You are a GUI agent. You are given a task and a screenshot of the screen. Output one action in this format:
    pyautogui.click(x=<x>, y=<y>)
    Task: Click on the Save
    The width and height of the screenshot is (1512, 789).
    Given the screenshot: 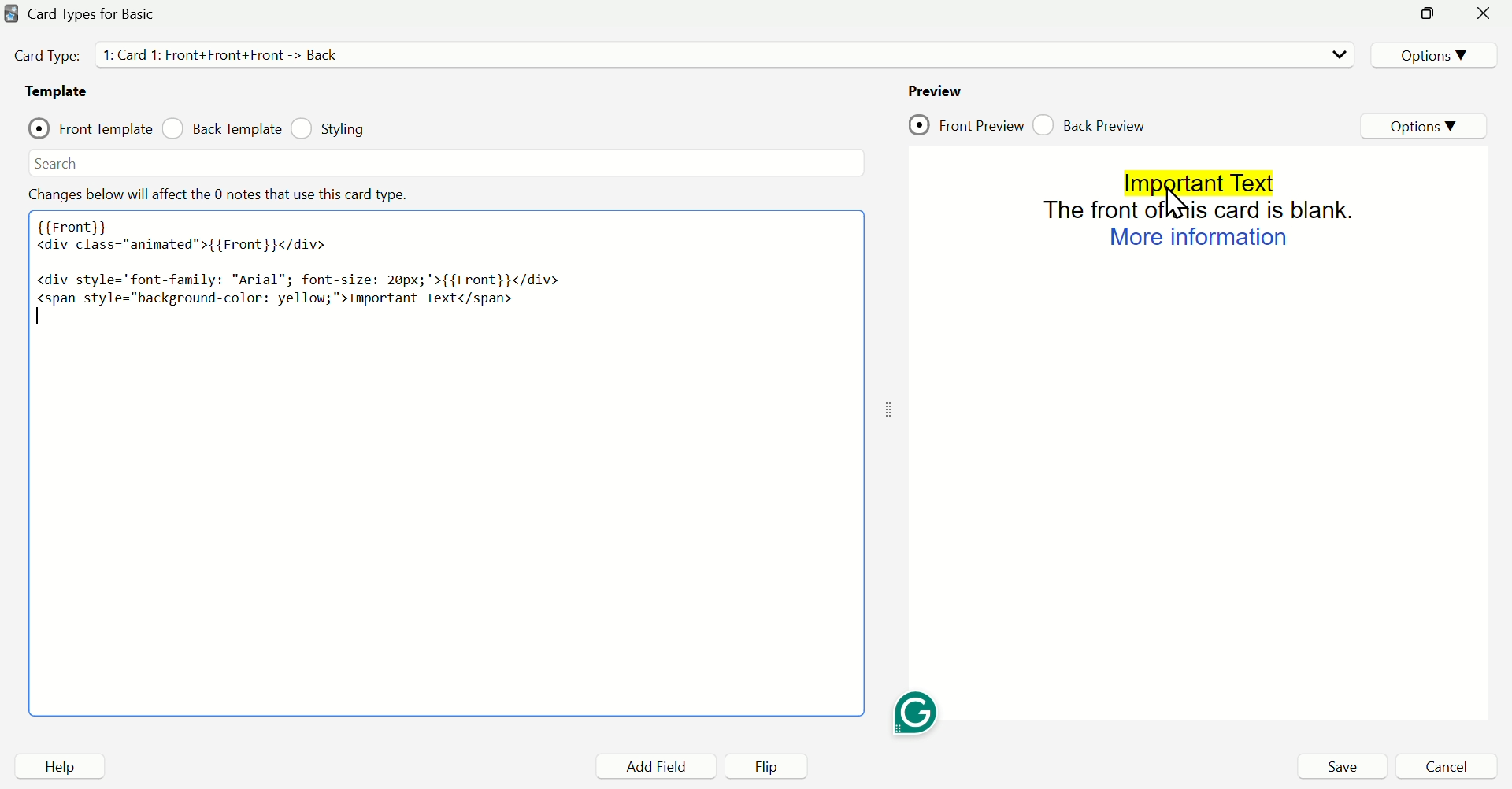 What is the action you would take?
    pyautogui.click(x=1341, y=767)
    